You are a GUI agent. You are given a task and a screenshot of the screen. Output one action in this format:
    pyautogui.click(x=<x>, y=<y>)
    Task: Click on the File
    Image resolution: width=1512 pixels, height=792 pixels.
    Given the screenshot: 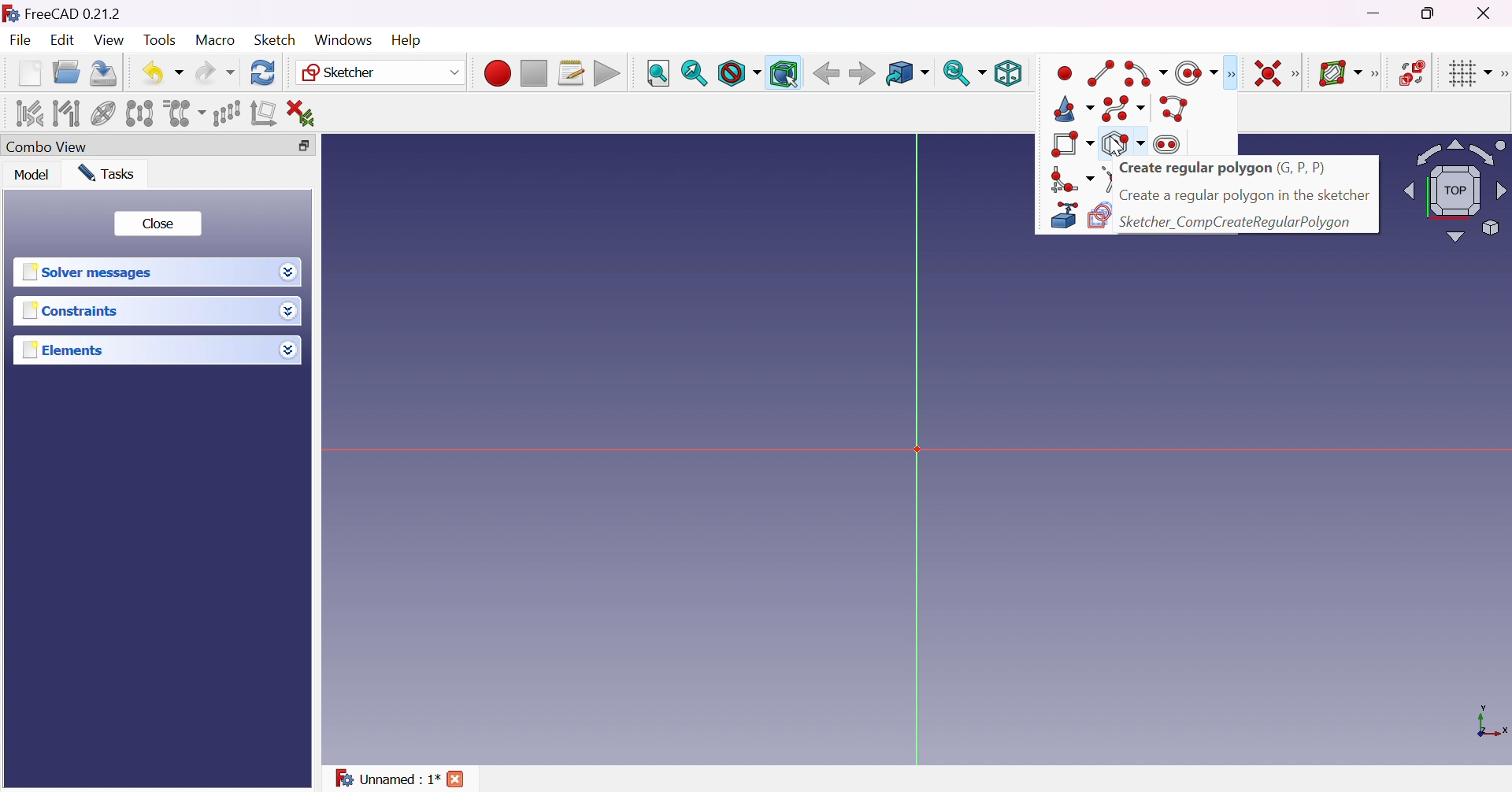 What is the action you would take?
    pyautogui.click(x=20, y=42)
    